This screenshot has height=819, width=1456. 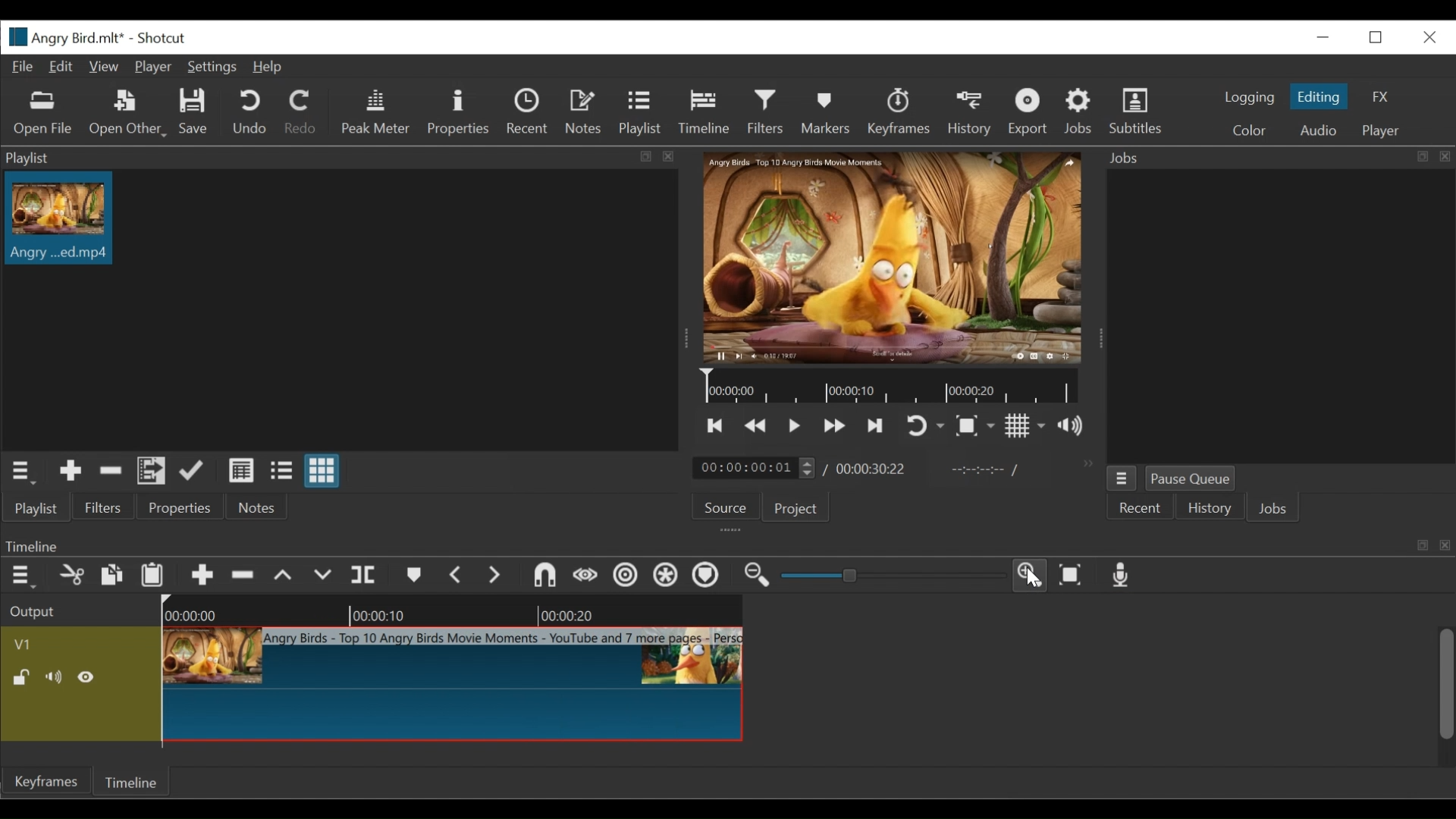 What do you see at coordinates (454, 688) in the screenshot?
I see `Clip` at bounding box center [454, 688].